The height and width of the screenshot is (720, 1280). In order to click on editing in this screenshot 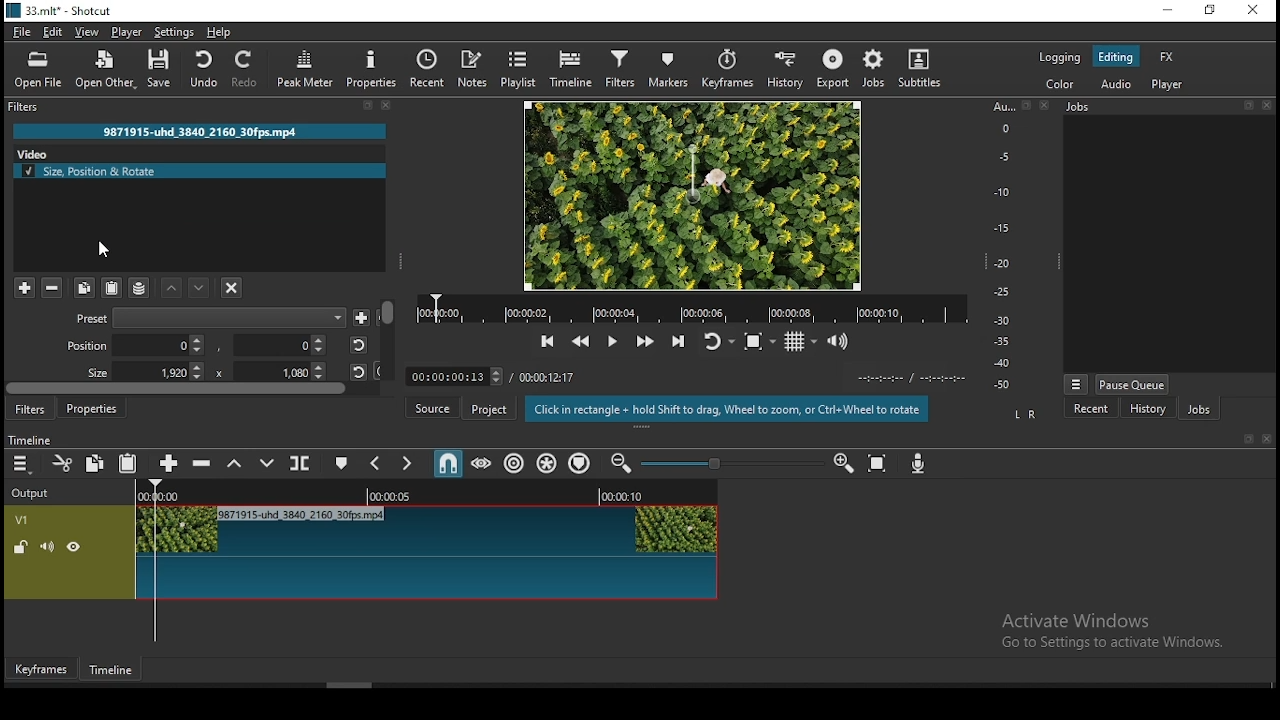, I will do `click(1119, 58)`.